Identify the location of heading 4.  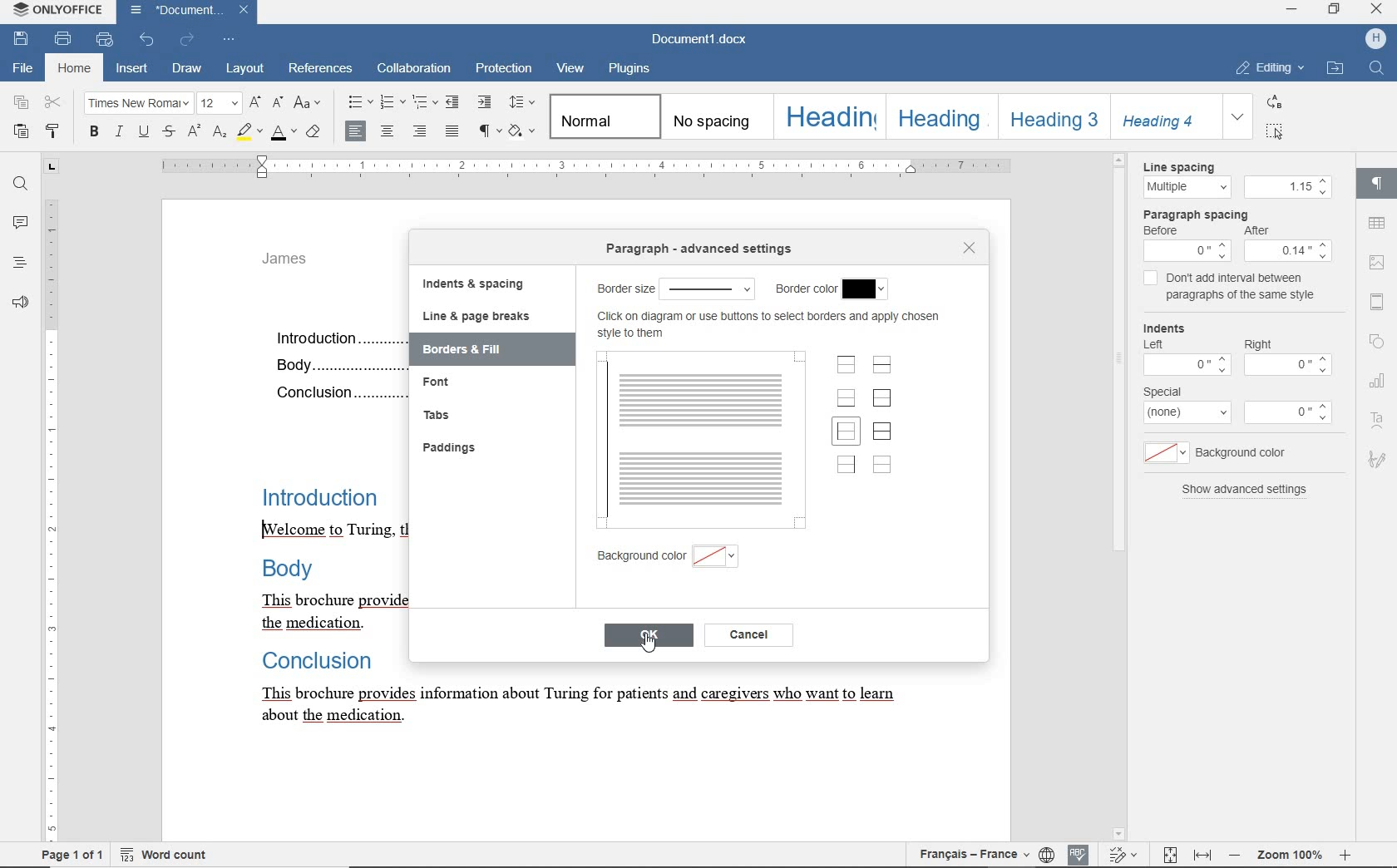
(1163, 116).